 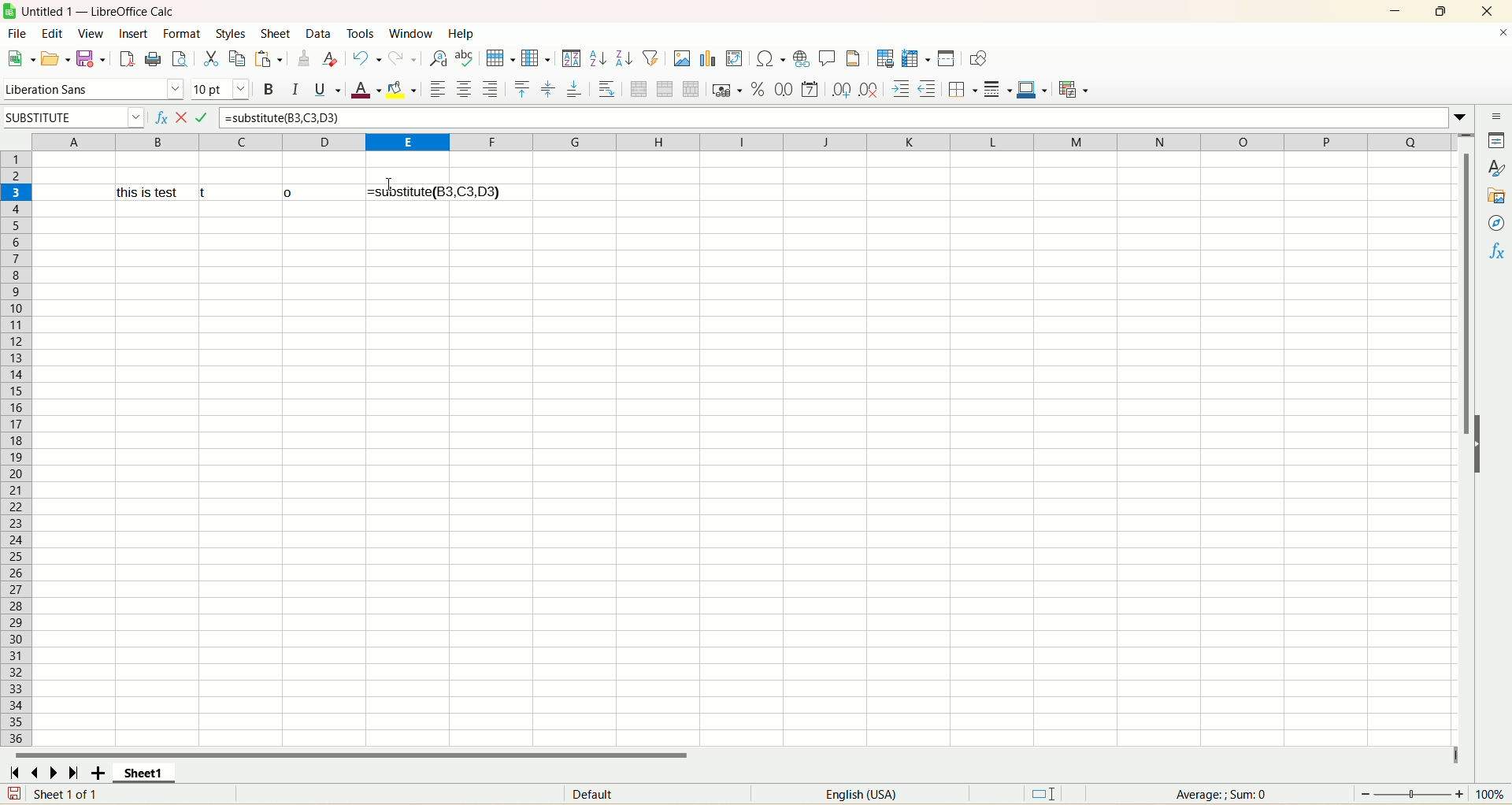 What do you see at coordinates (361, 32) in the screenshot?
I see `tools` at bounding box center [361, 32].